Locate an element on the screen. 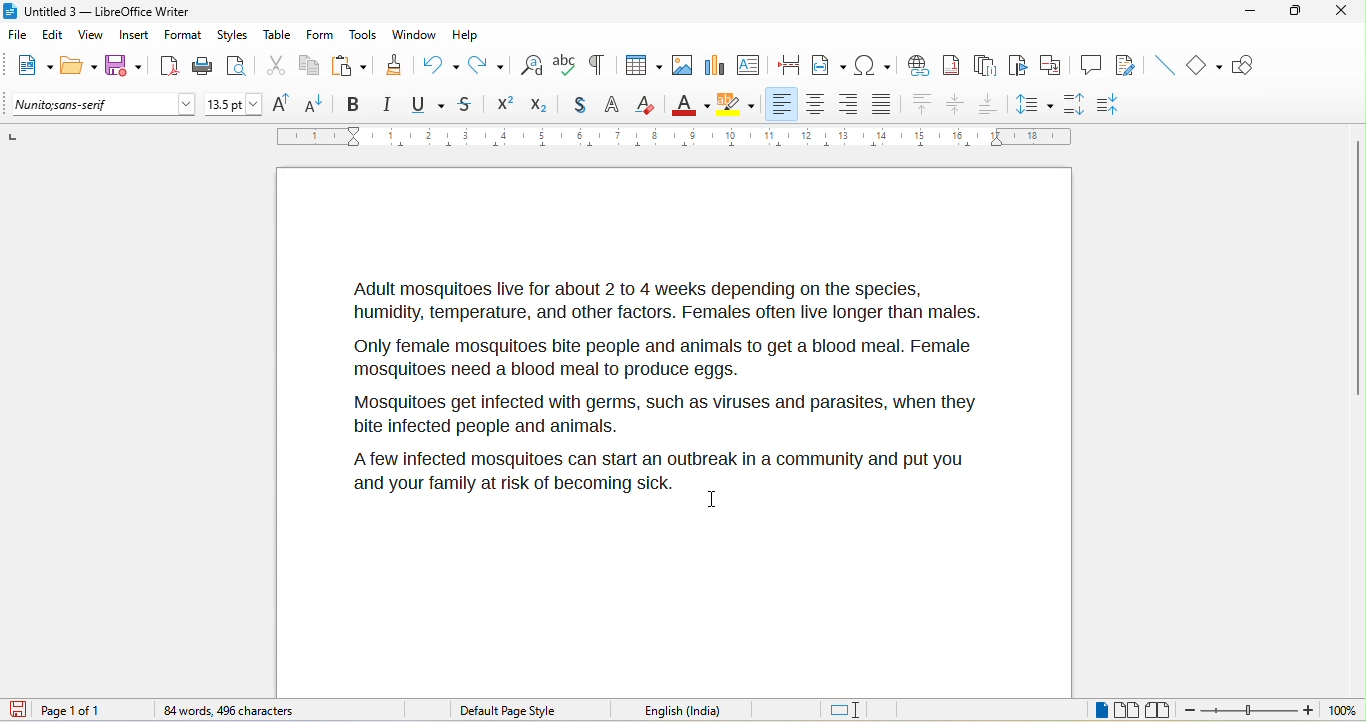 The image size is (1366, 722). show draw function is located at coordinates (1250, 65).